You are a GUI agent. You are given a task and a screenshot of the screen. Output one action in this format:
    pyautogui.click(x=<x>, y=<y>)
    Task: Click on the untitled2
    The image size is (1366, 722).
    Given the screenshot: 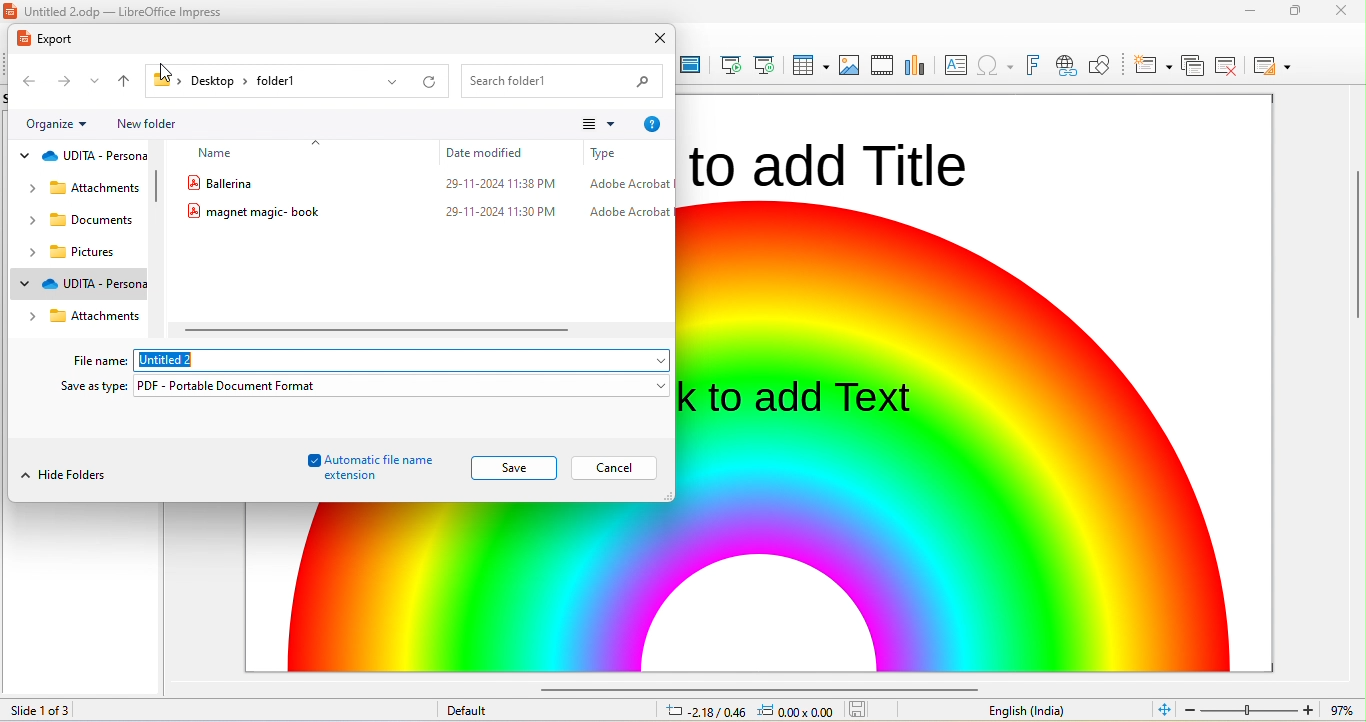 What is the action you would take?
    pyautogui.click(x=172, y=360)
    